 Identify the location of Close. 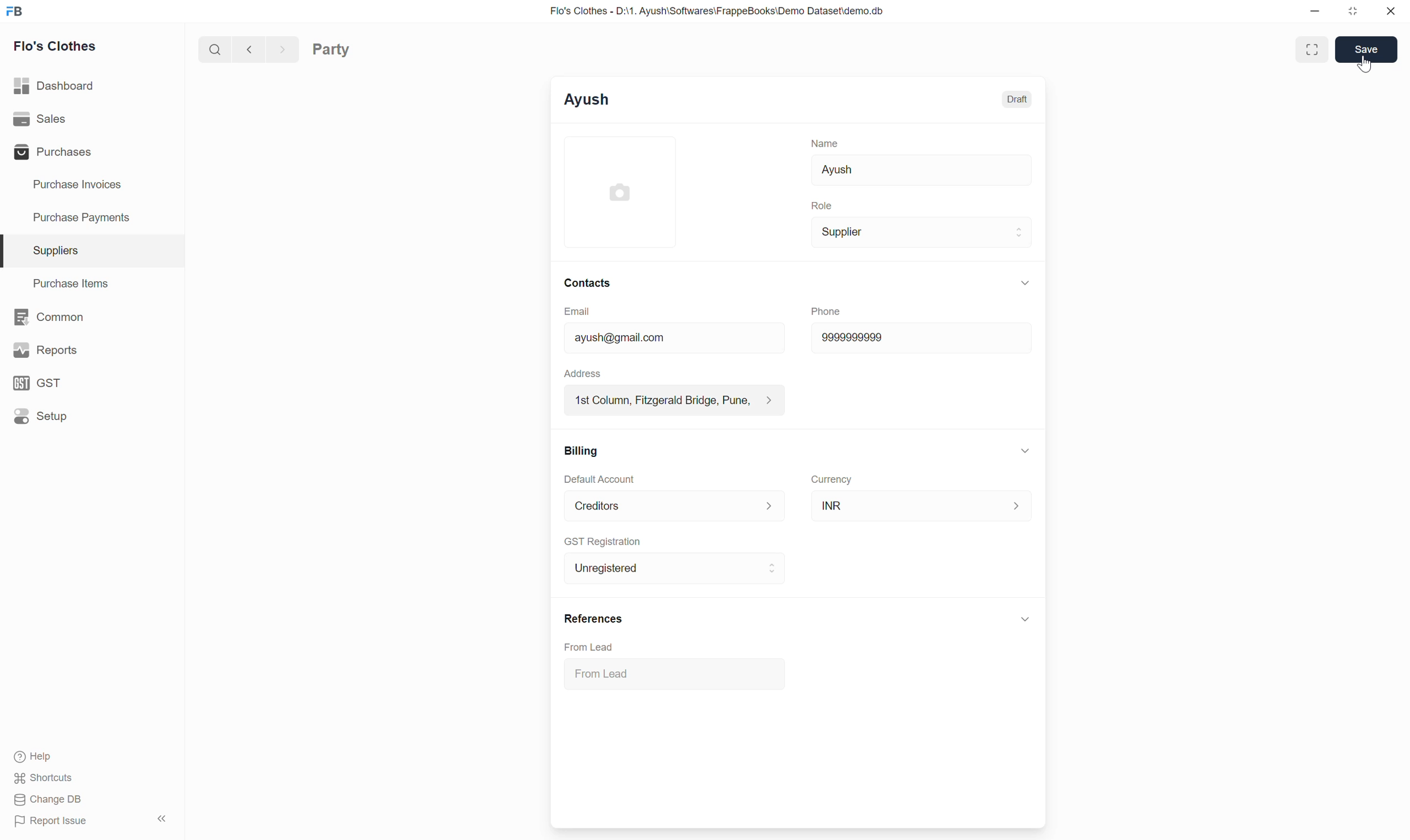
(1391, 11).